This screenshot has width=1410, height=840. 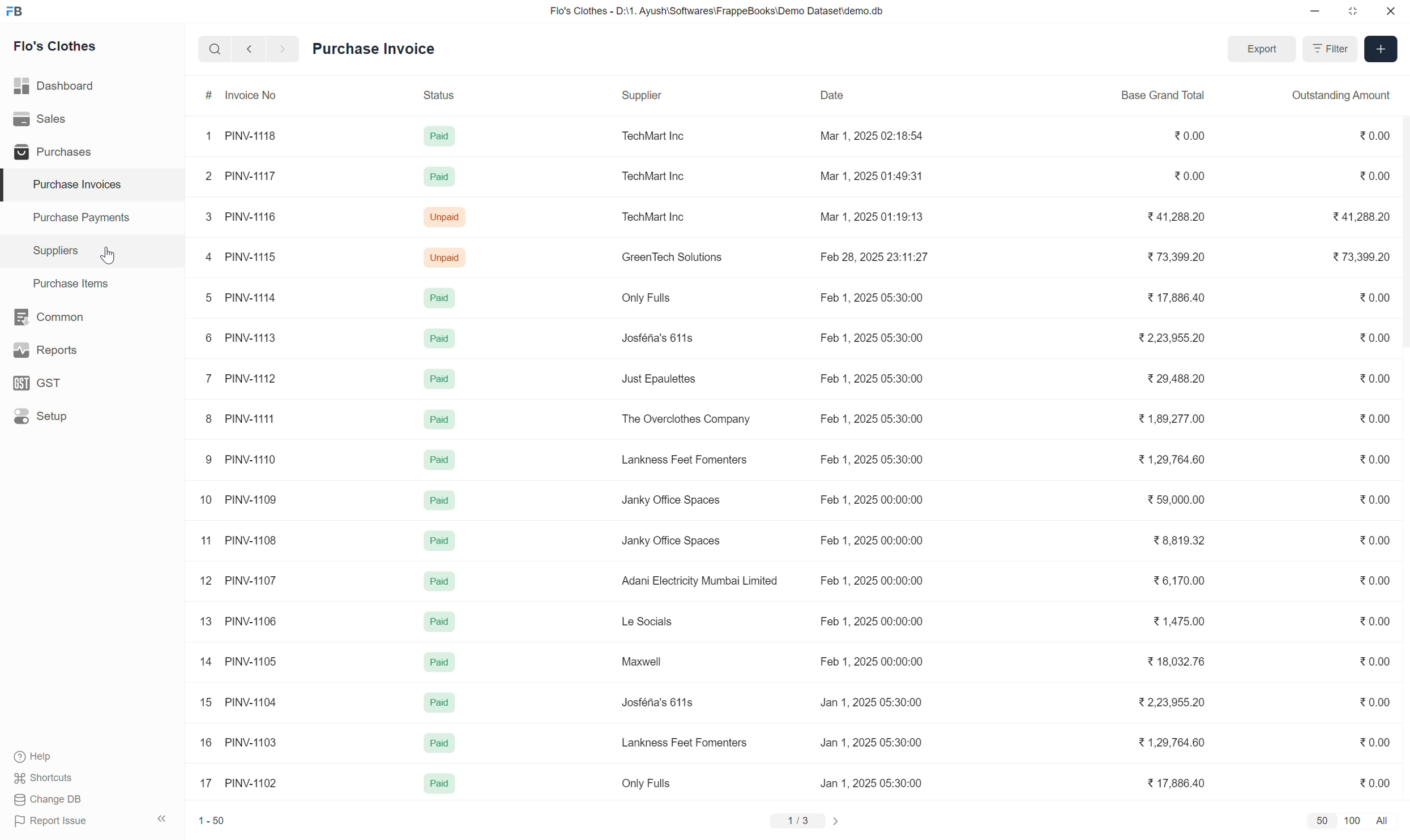 What do you see at coordinates (236, 253) in the screenshot?
I see `4 PINV-1115` at bounding box center [236, 253].